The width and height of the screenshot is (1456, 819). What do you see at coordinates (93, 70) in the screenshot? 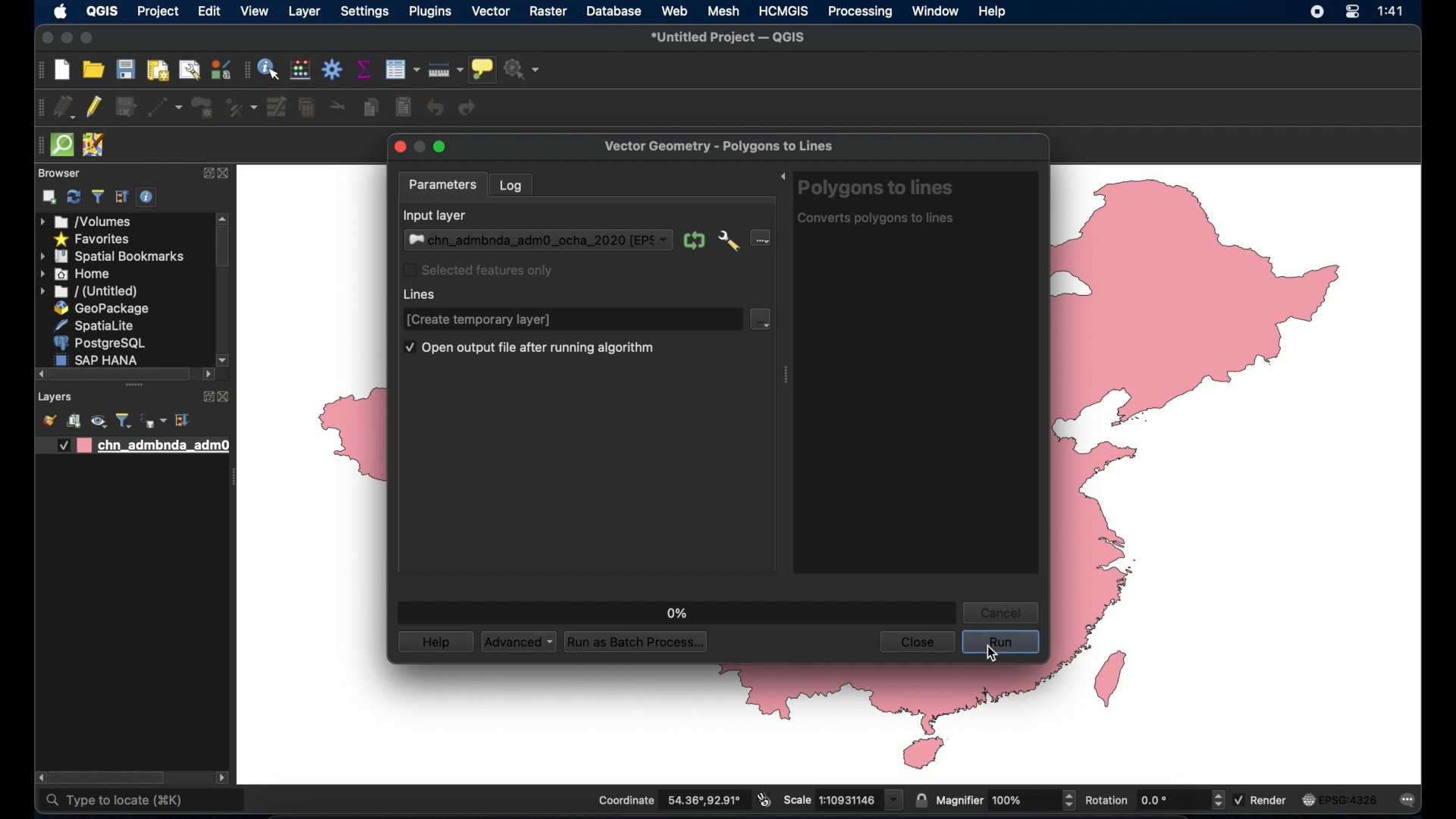
I see `open project` at bounding box center [93, 70].